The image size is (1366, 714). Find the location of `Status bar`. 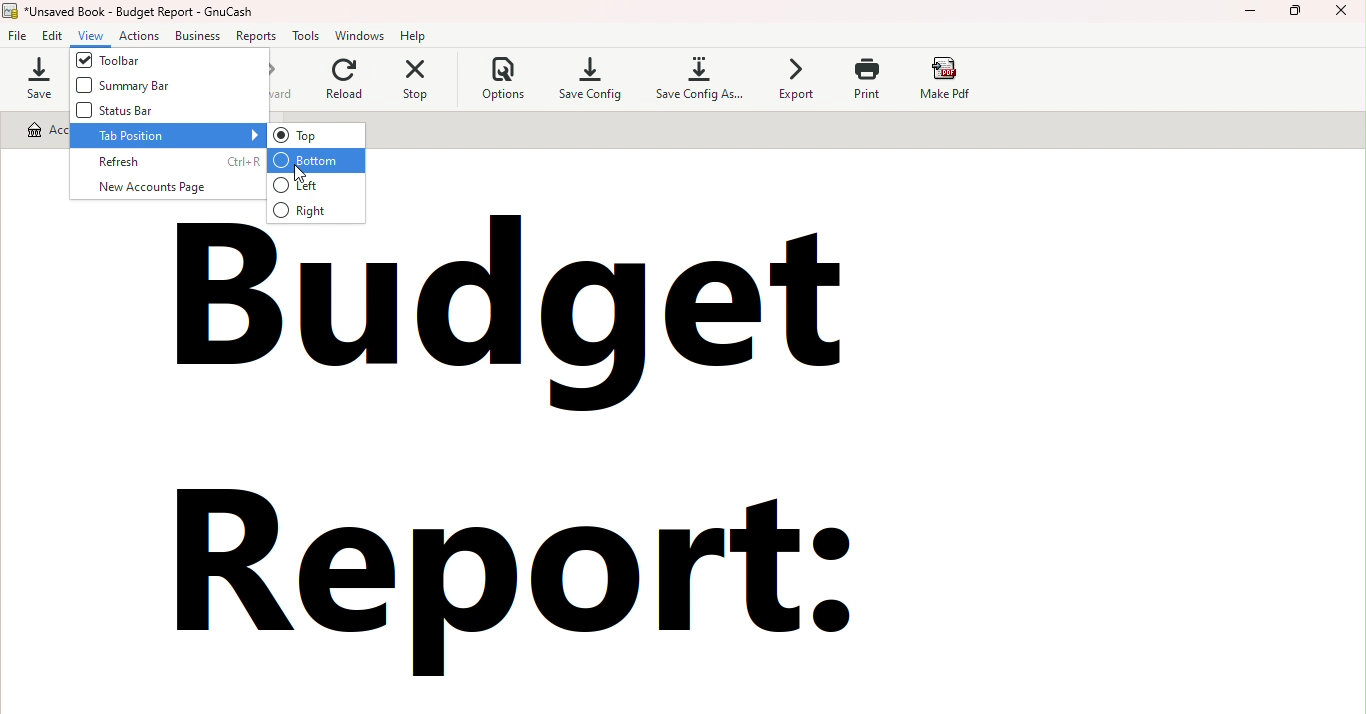

Status bar is located at coordinates (150, 112).